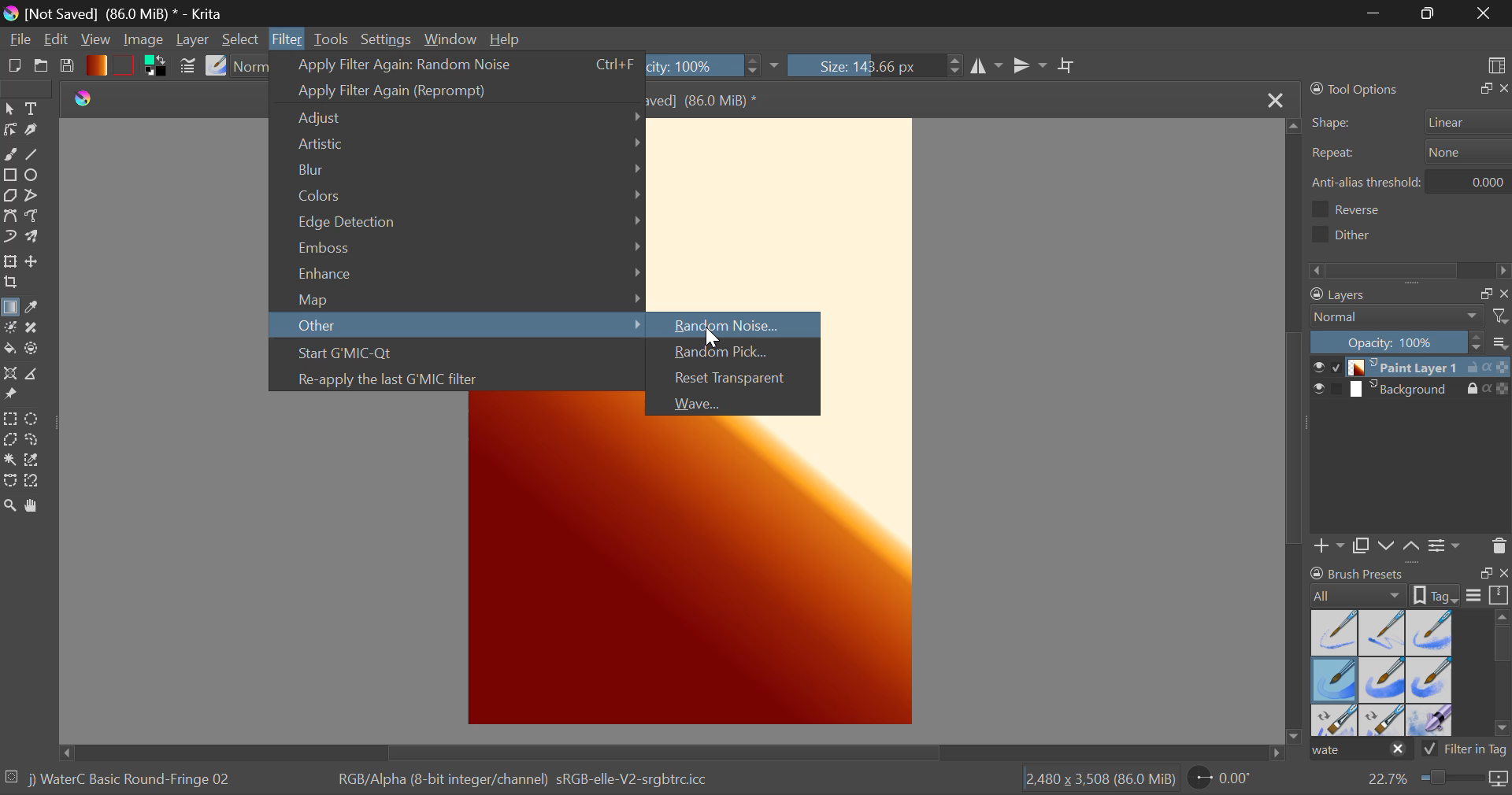 The image size is (1512, 795). What do you see at coordinates (1273, 99) in the screenshot?
I see `Close Tab` at bounding box center [1273, 99].